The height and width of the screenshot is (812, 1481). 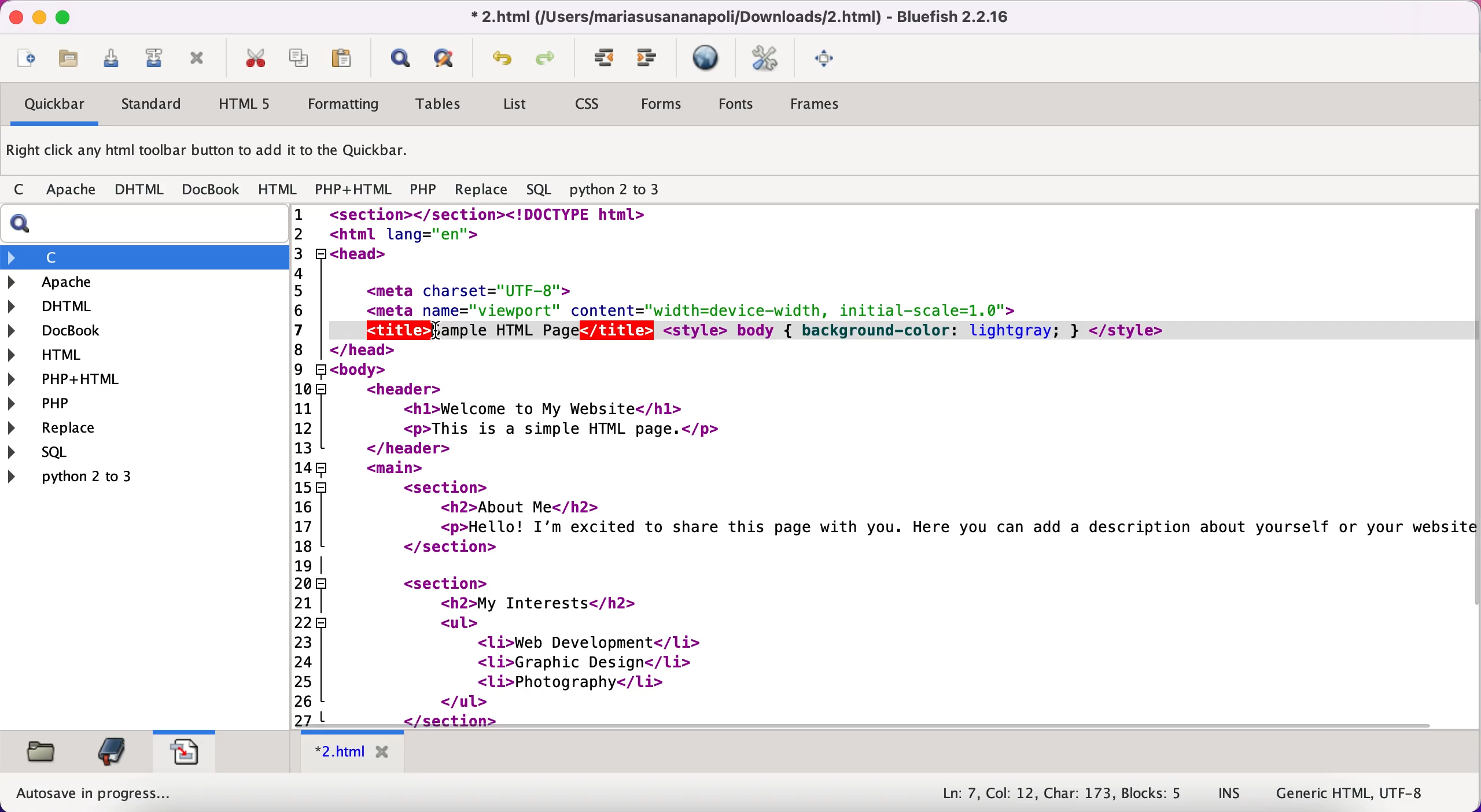 What do you see at coordinates (664, 107) in the screenshot?
I see `forms` at bounding box center [664, 107].